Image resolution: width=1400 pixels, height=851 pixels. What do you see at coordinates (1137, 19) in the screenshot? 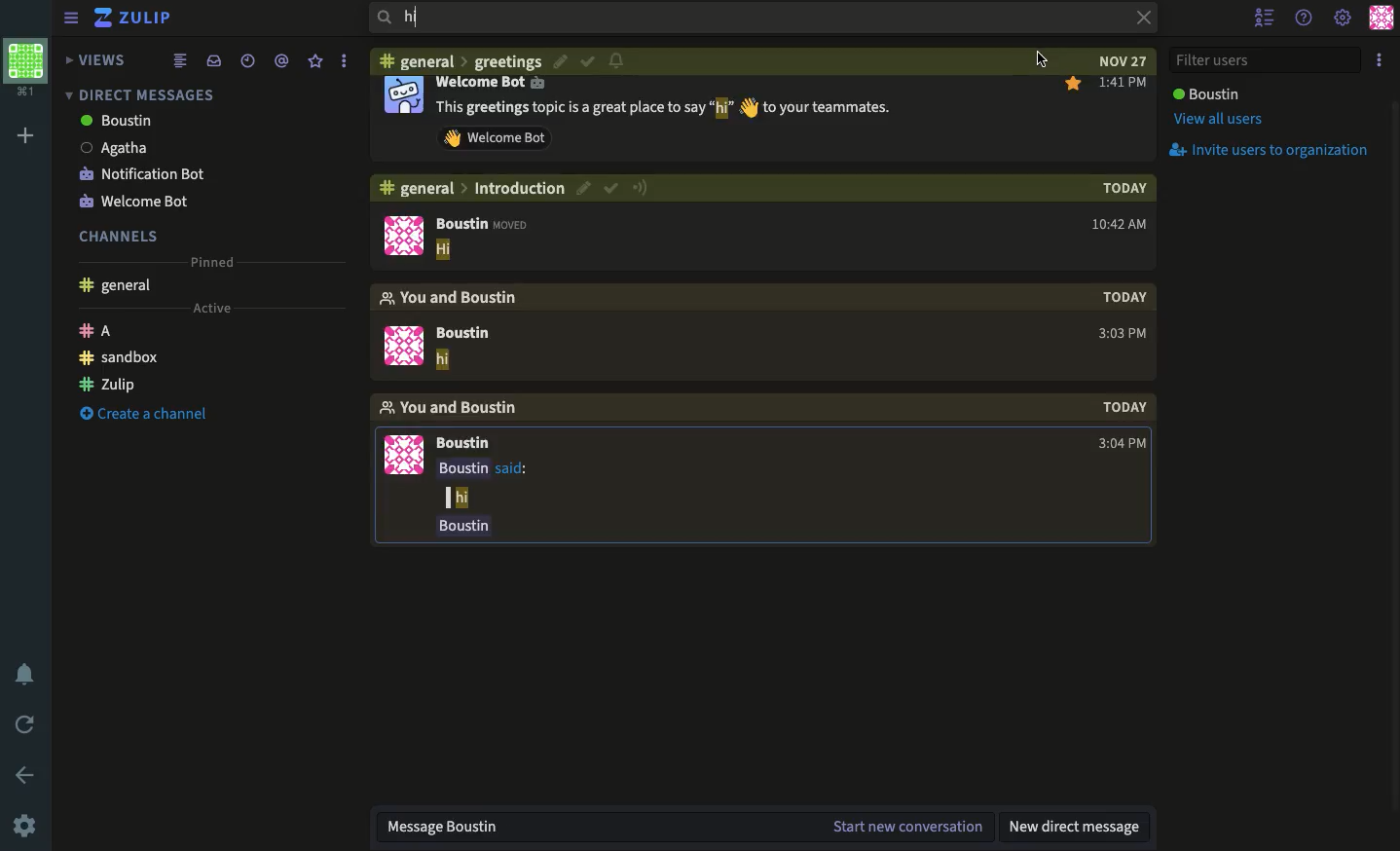
I see `Close` at bounding box center [1137, 19].